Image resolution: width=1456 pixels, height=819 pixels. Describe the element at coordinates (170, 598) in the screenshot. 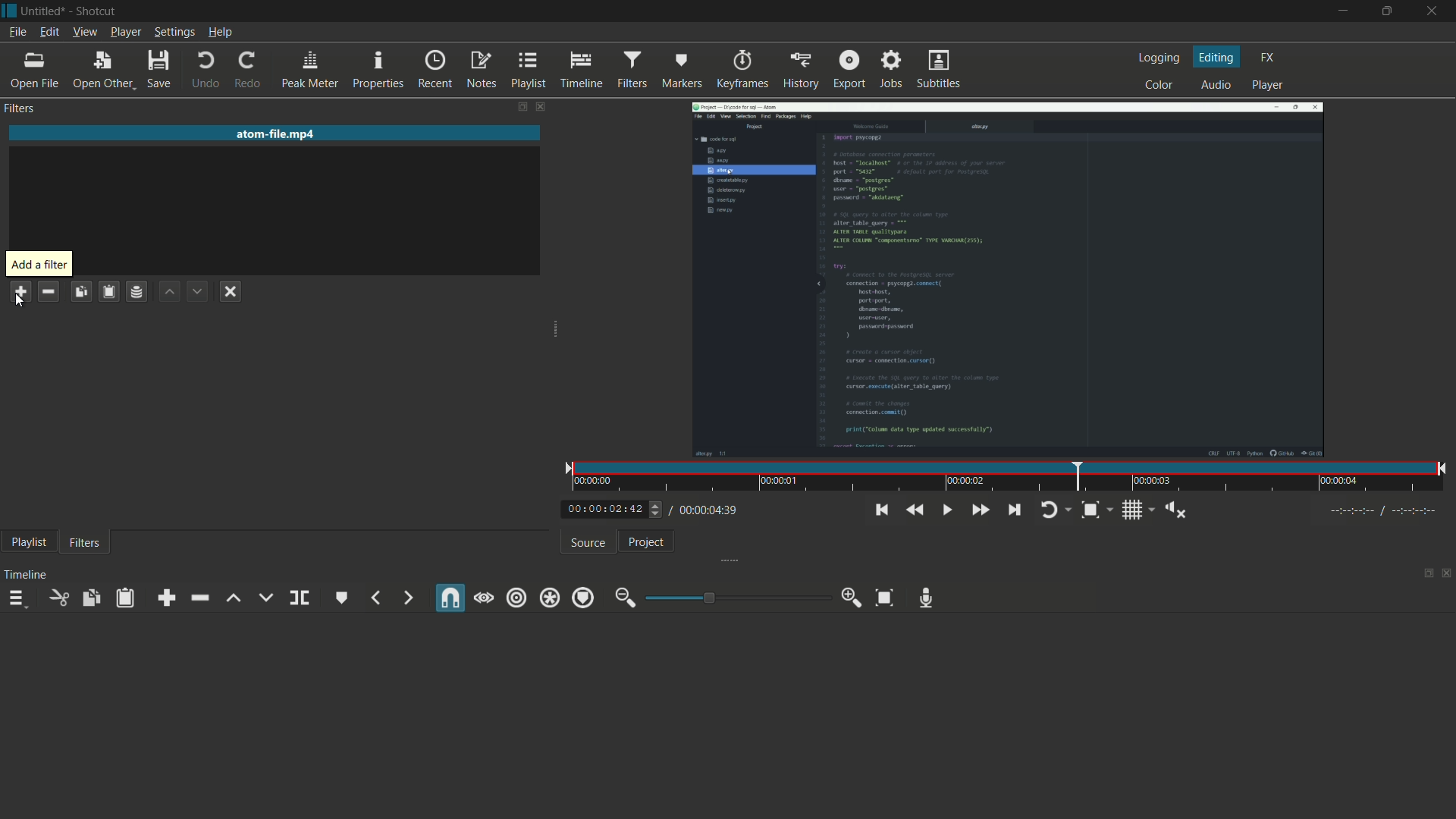

I see `append` at that location.